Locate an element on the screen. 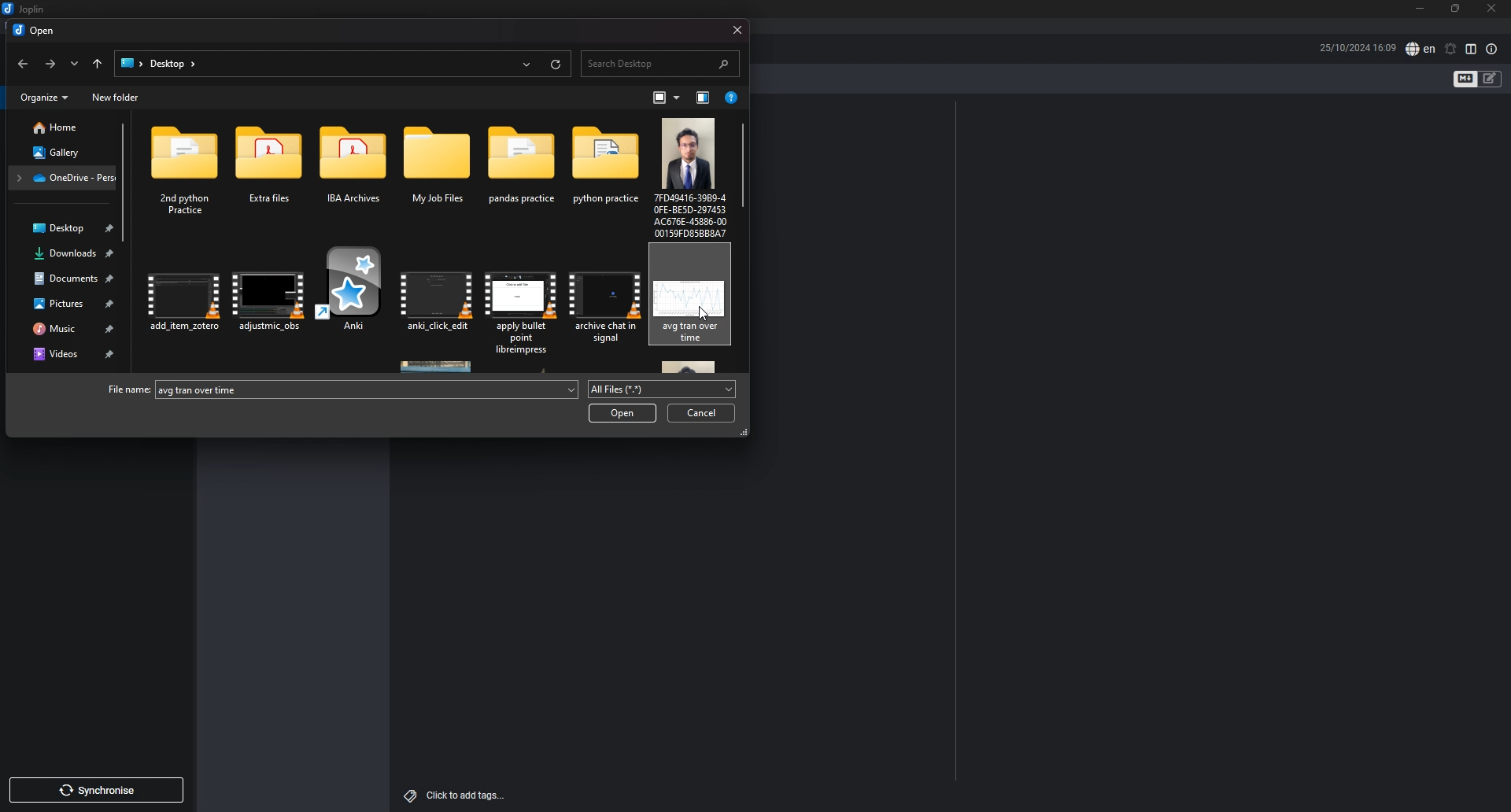  add_item_artero is located at coordinates (185, 307).